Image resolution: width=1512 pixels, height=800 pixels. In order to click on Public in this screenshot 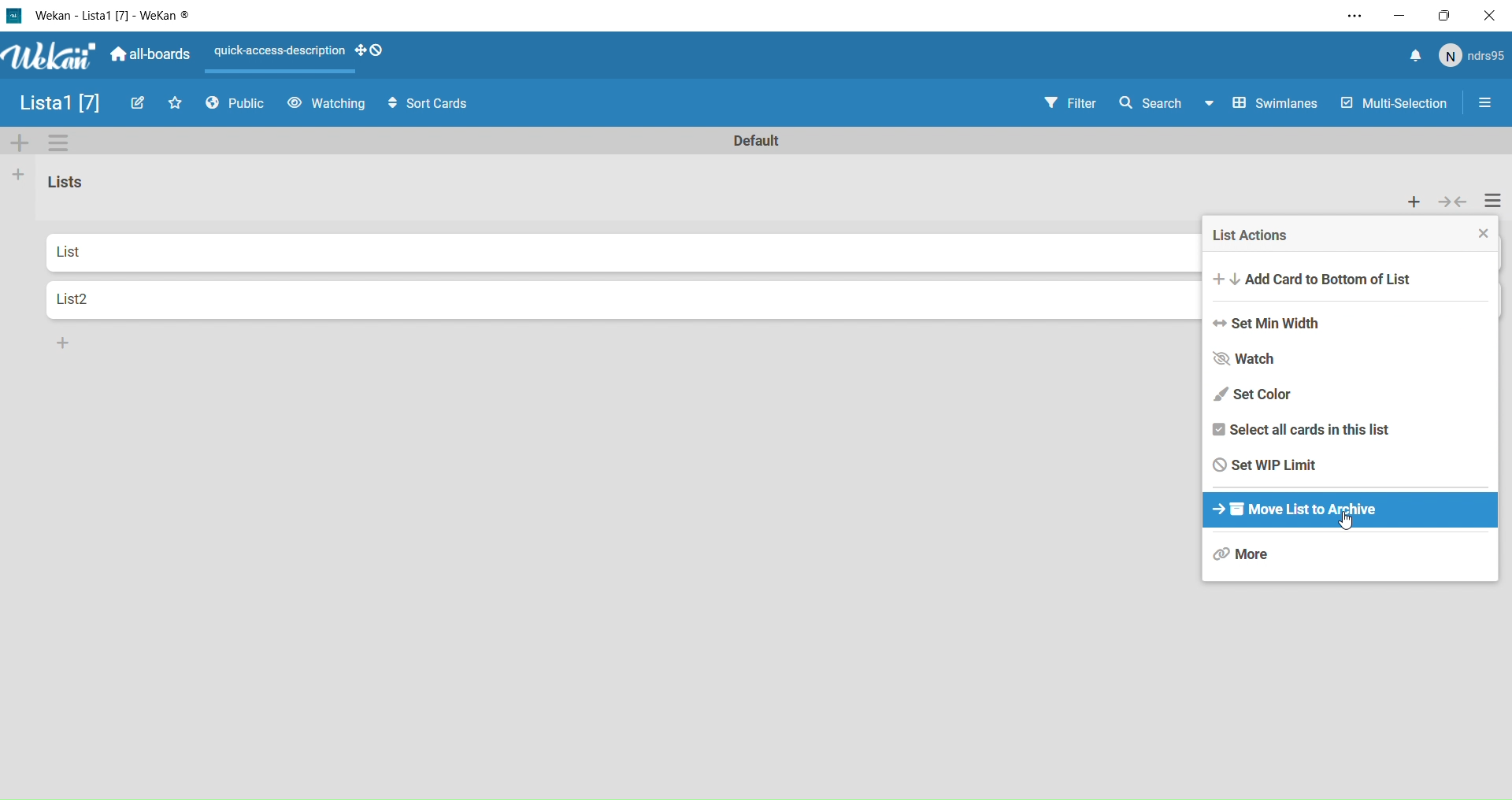, I will do `click(239, 103)`.